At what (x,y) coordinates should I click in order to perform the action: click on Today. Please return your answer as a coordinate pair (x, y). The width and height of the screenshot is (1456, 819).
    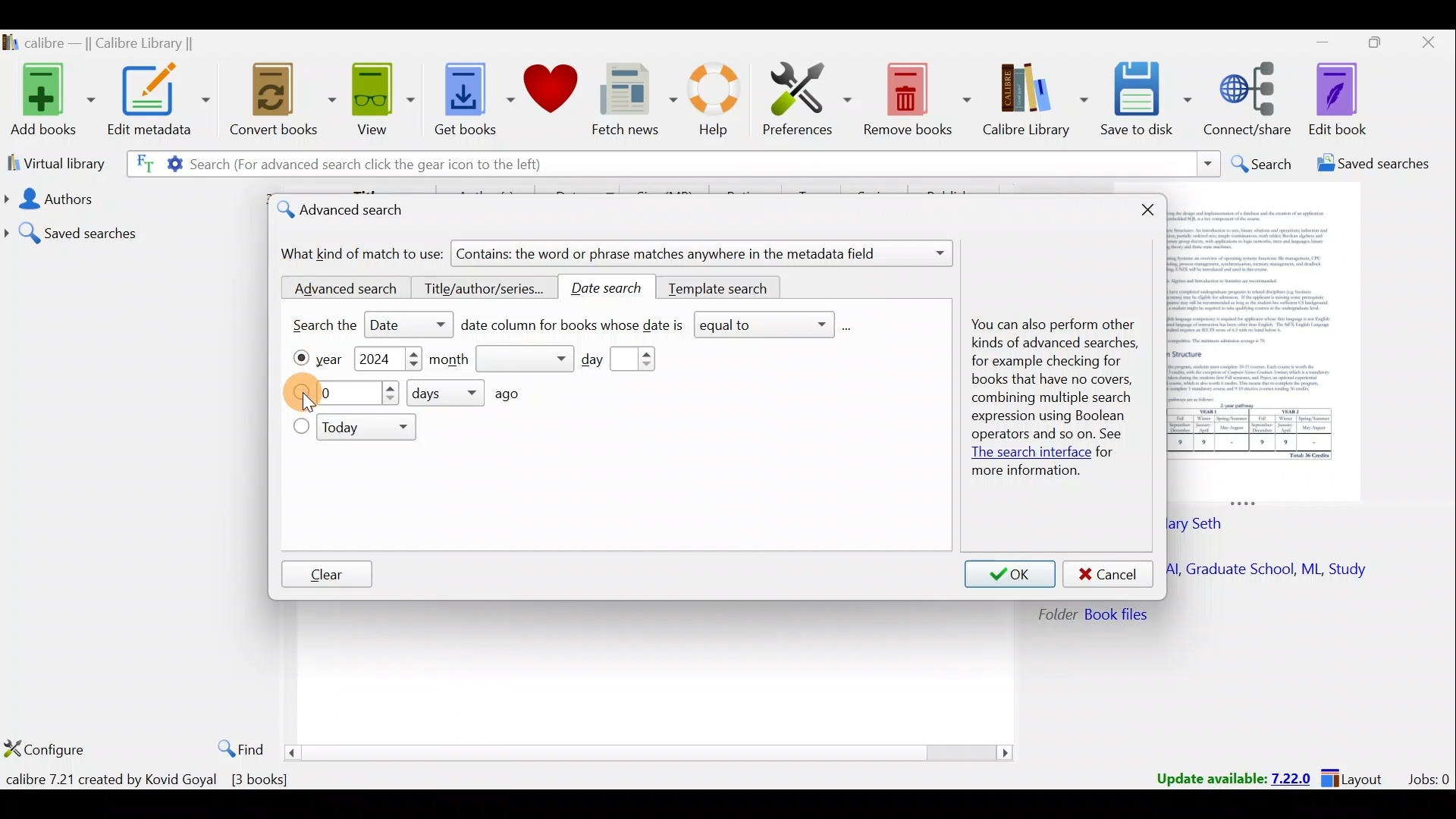
    Looking at the image, I should click on (369, 429).